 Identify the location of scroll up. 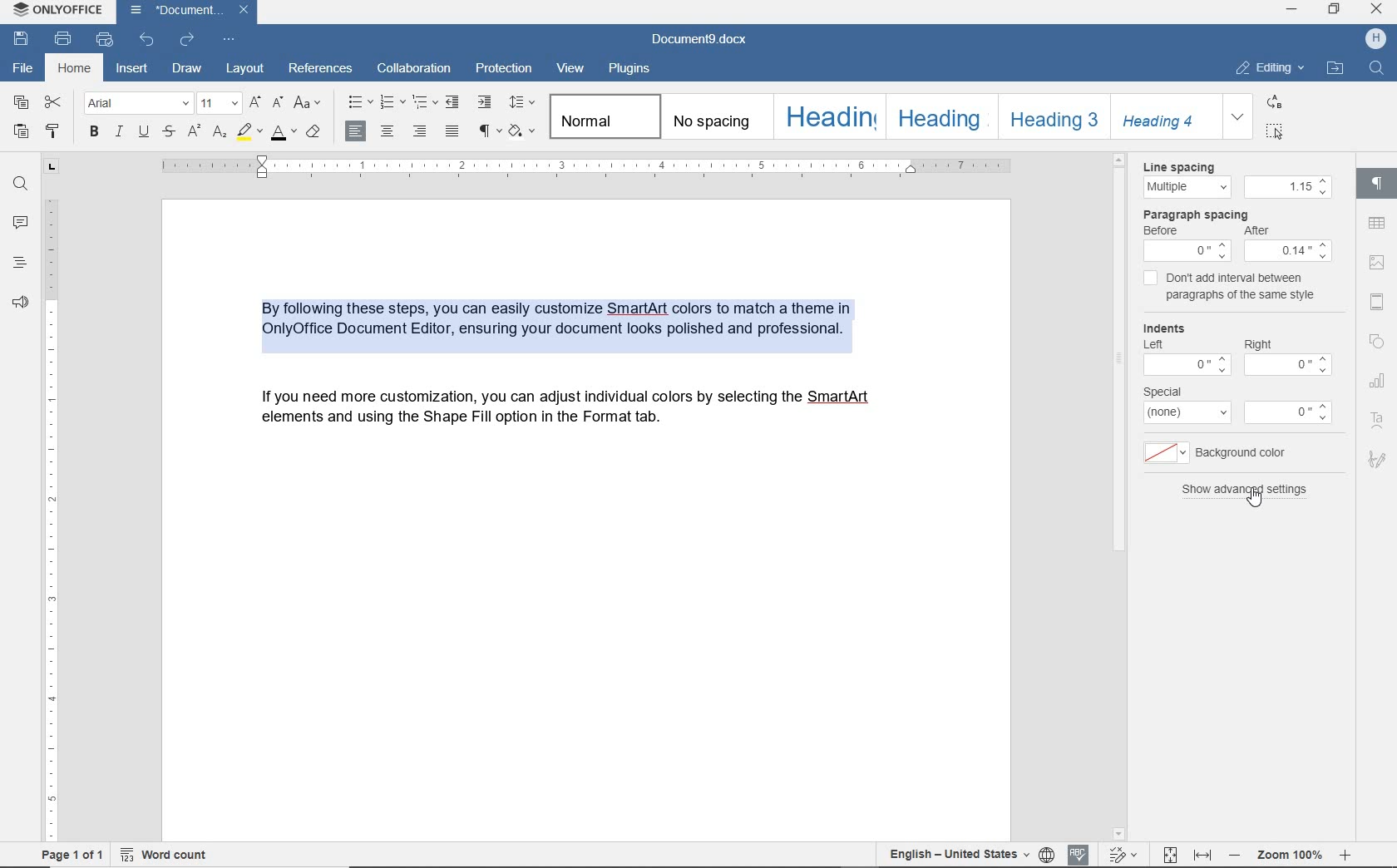
(1120, 160).